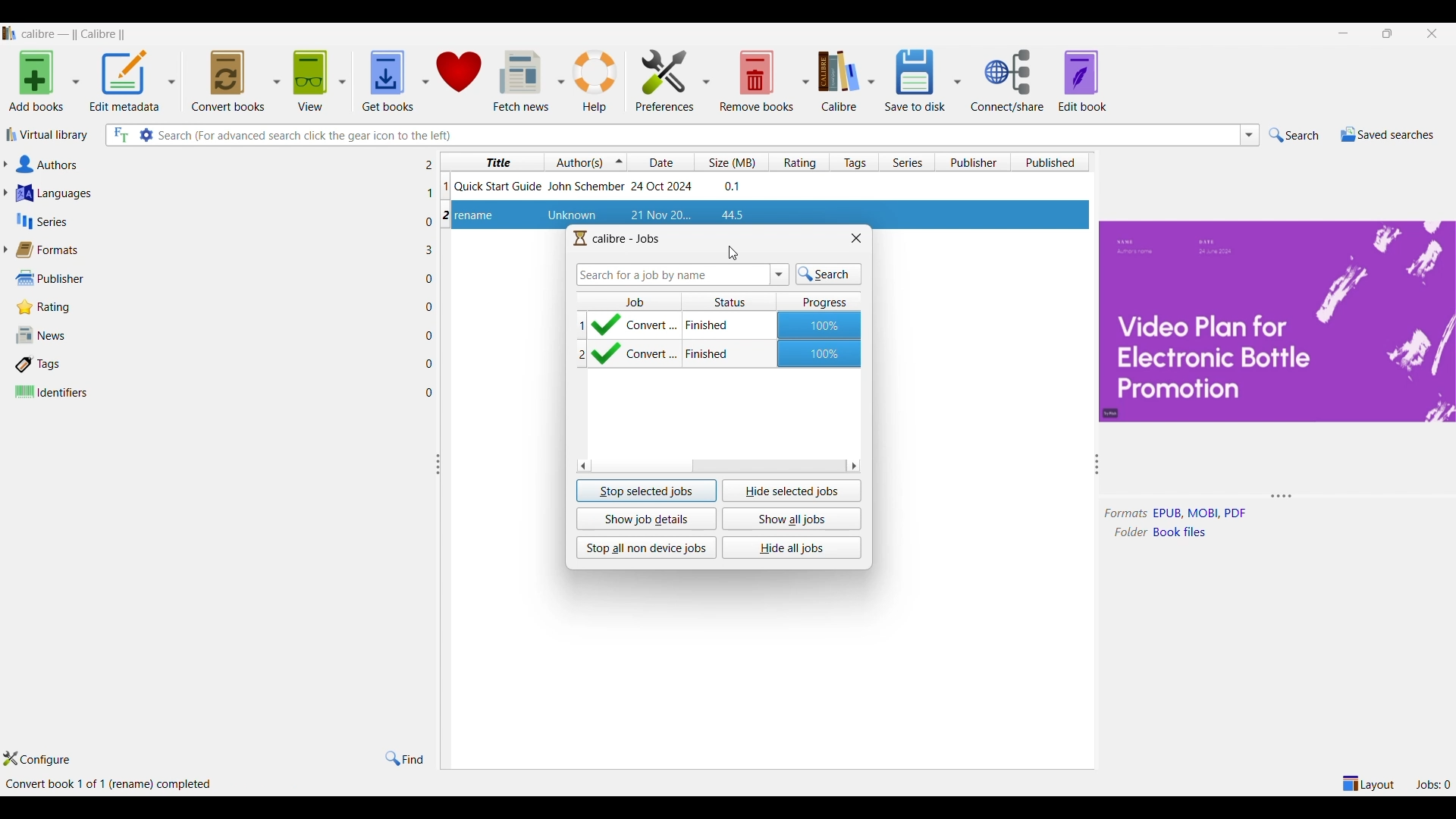  What do you see at coordinates (720, 325) in the screenshot?
I see `Current conversion completed` at bounding box center [720, 325].